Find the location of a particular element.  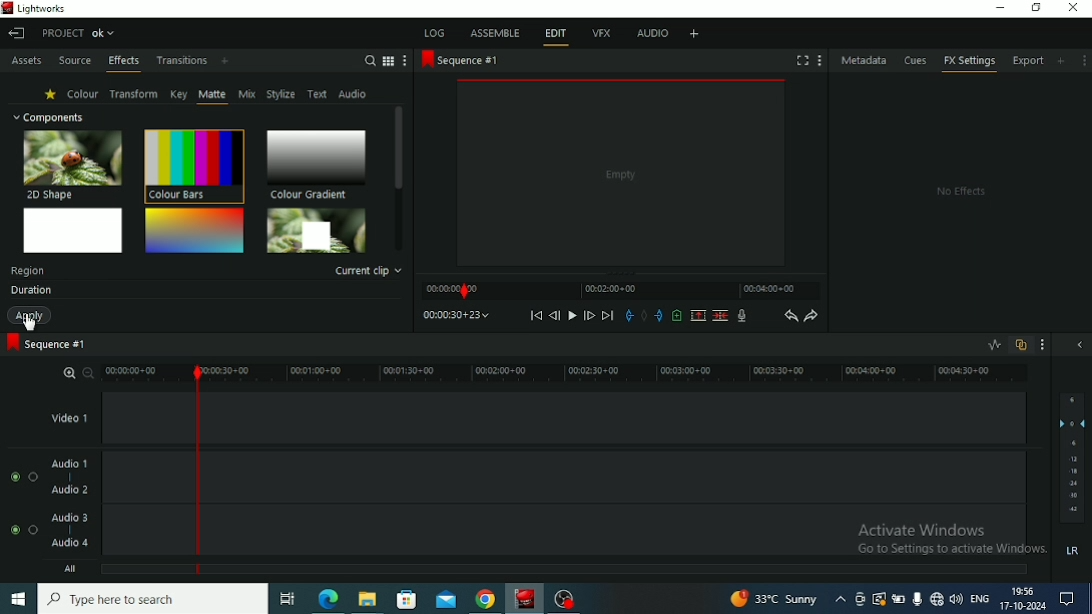

VFX is located at coordinates (601, 35).